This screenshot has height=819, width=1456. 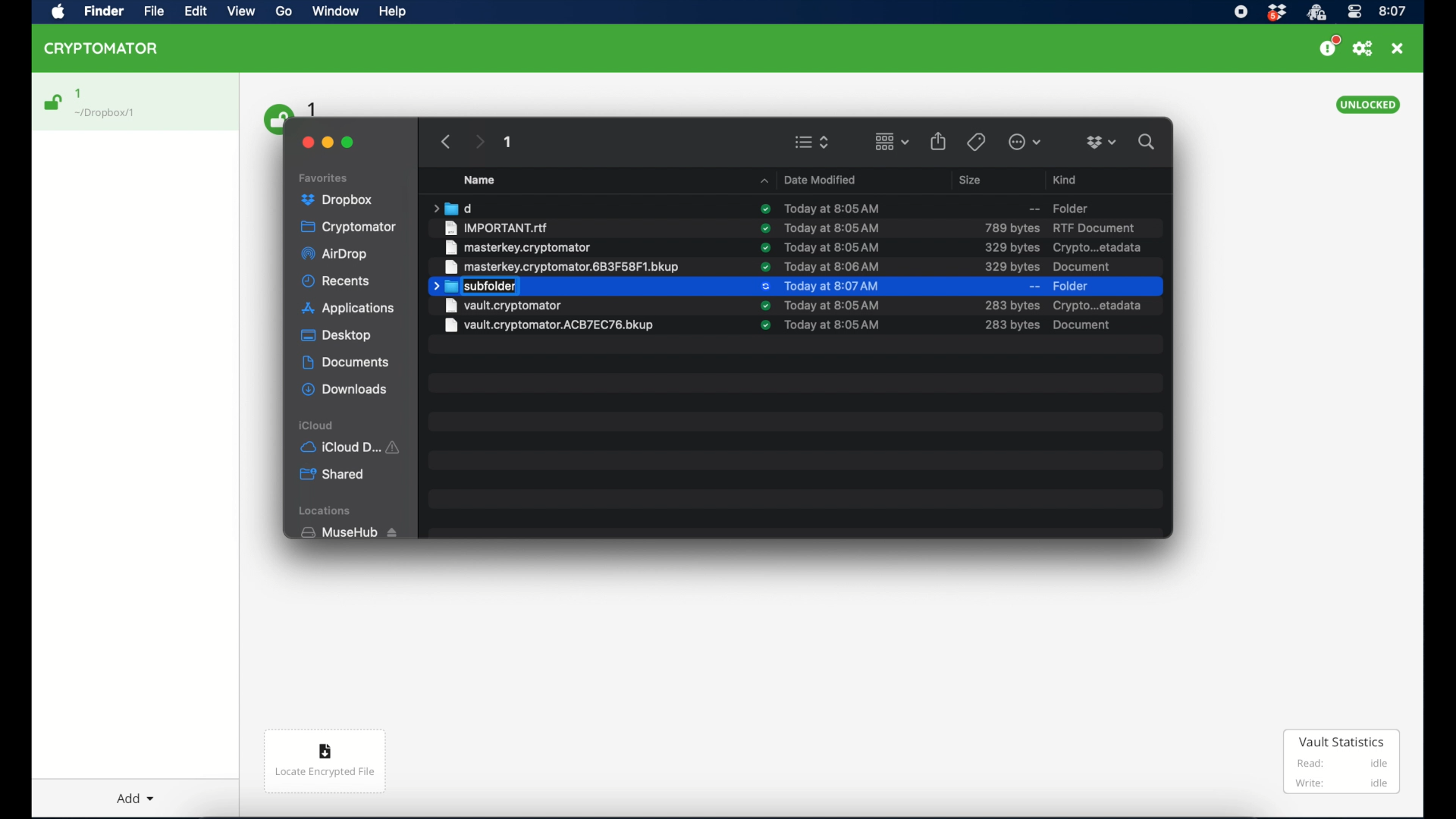 What do you see at coordinates (1398, 49) in the screenshot?
I see `close` at bounding box center [1398, 49].